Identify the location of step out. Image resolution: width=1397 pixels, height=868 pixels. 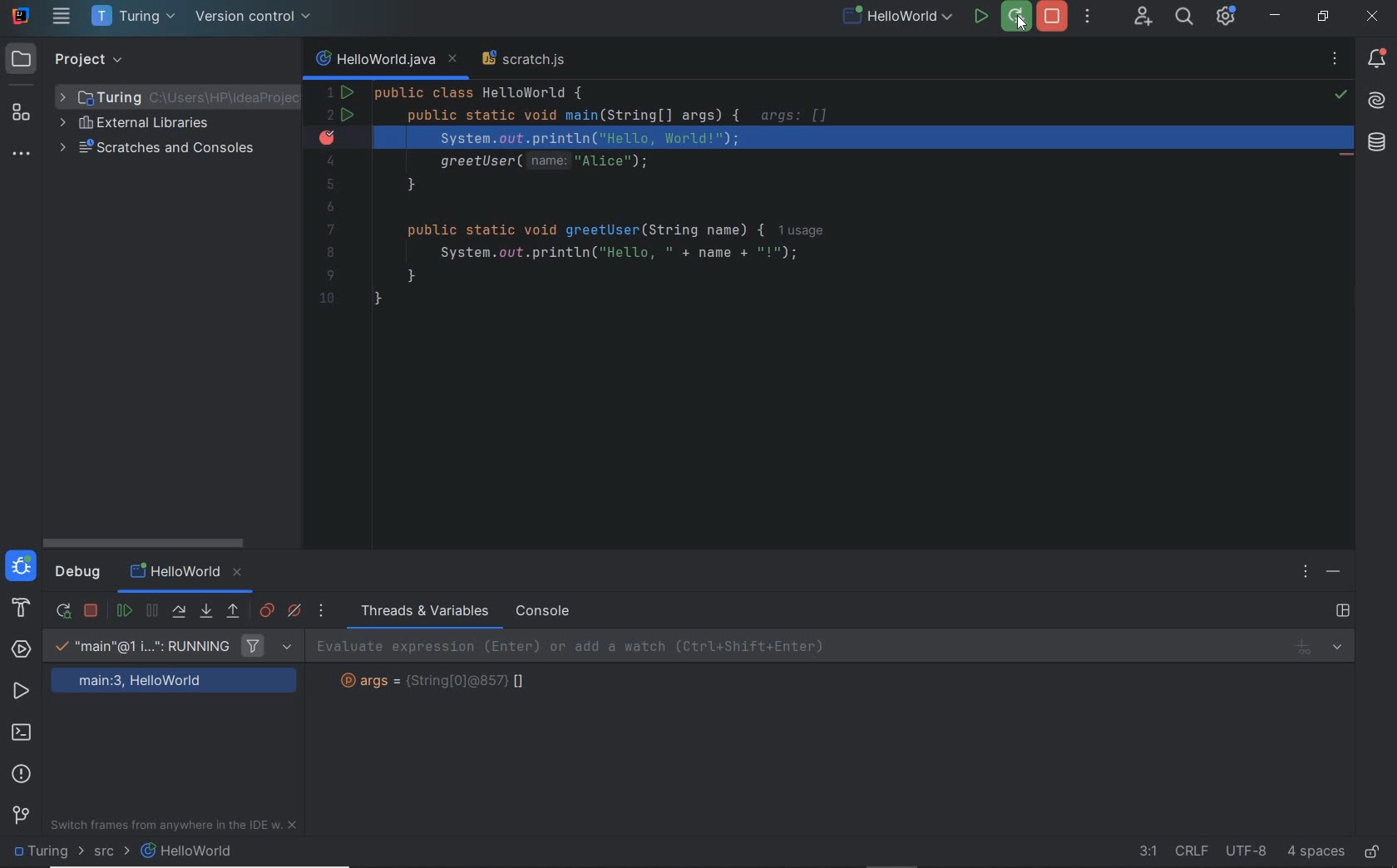
(234, 614).